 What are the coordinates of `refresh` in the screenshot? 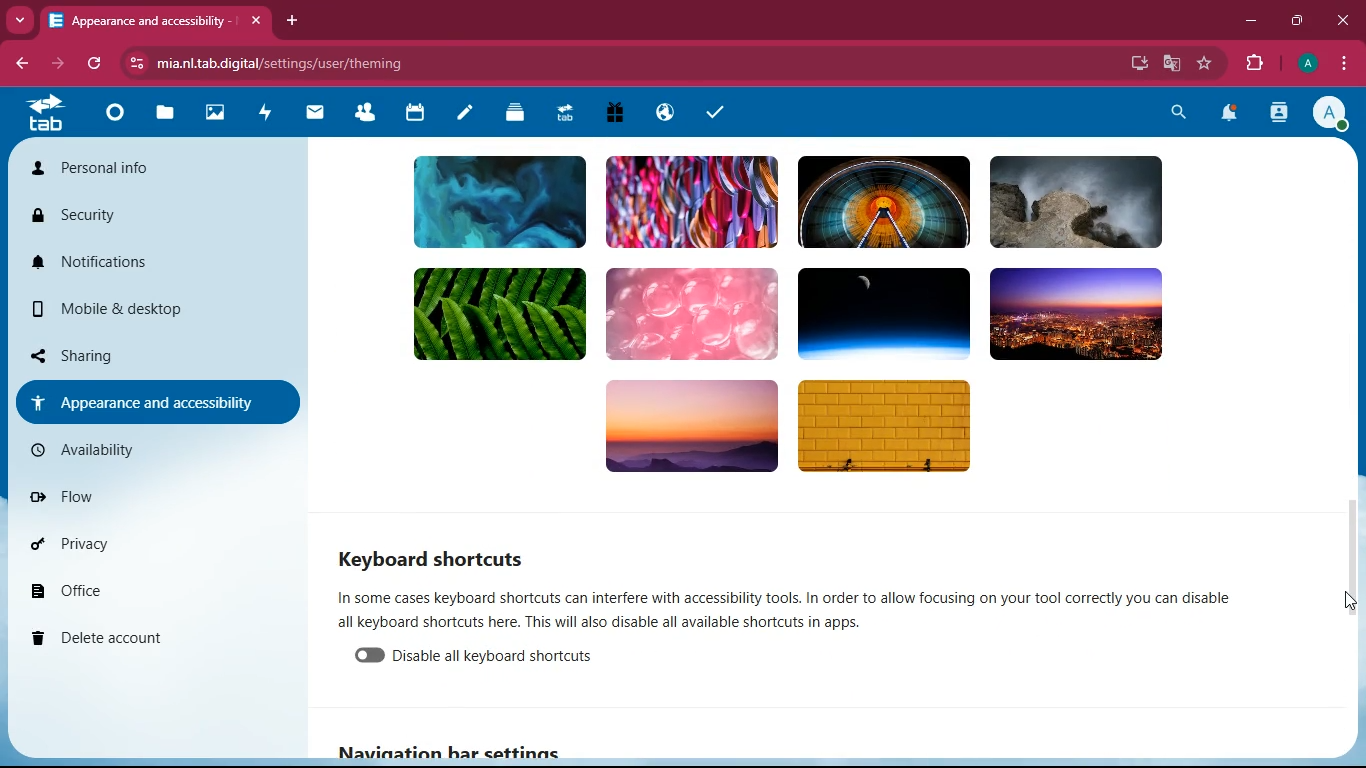 It's located at (96, 64).